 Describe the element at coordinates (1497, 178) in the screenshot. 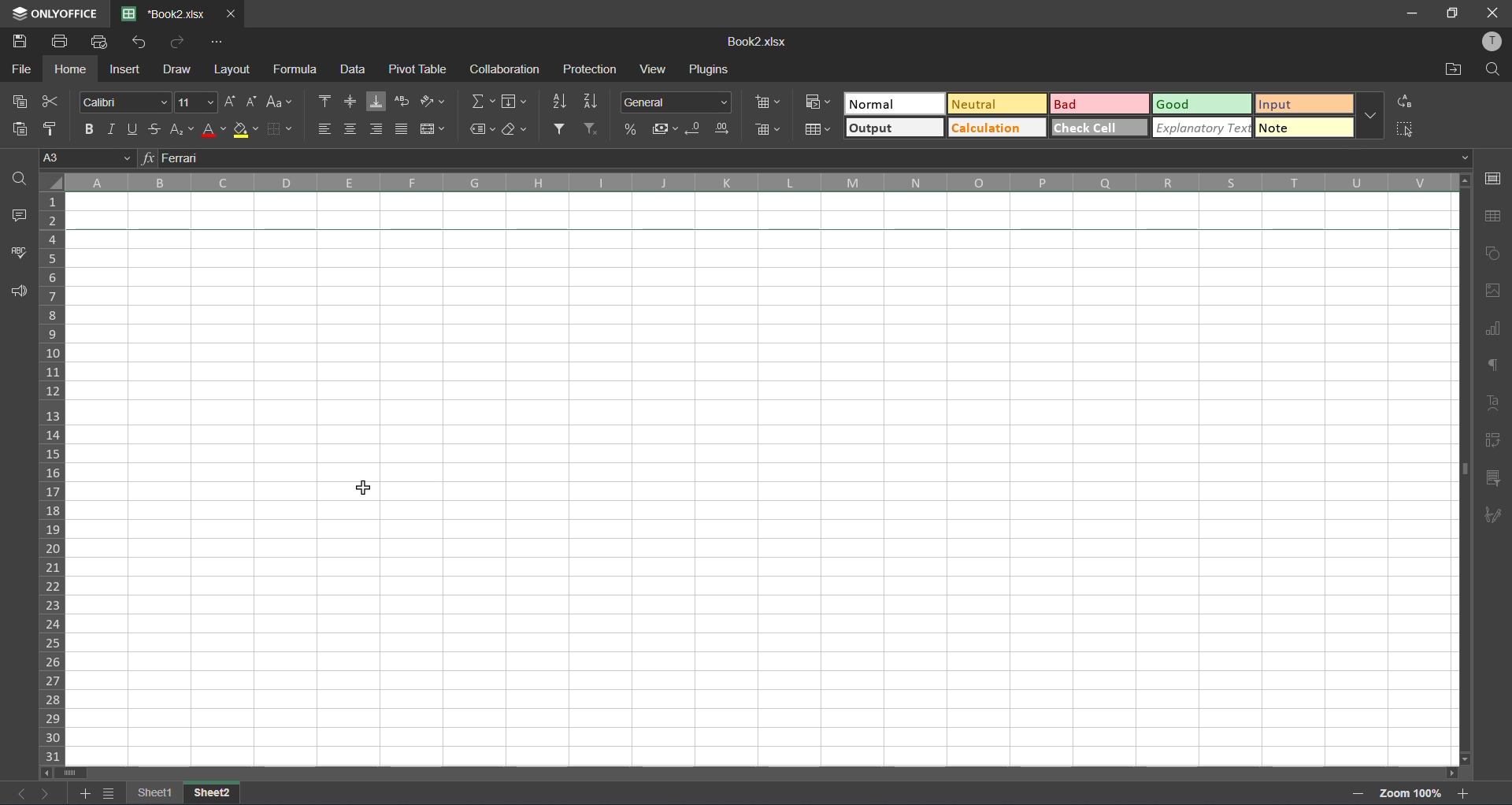

I see `cell settings` at that location.